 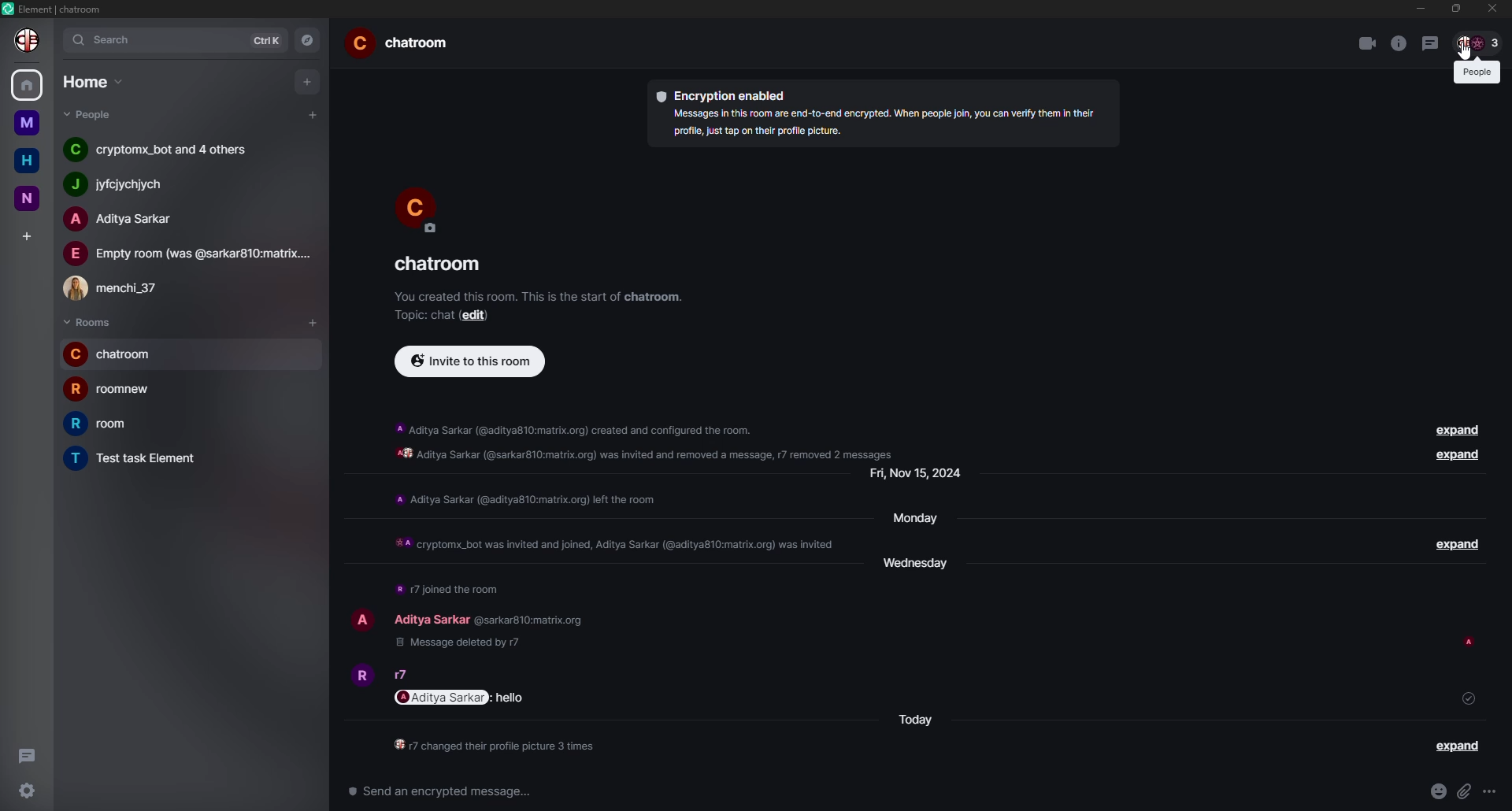 What do you see at coordinates (923, 476) in the screenshot?
I see `day` at bounding box center [923, 476].